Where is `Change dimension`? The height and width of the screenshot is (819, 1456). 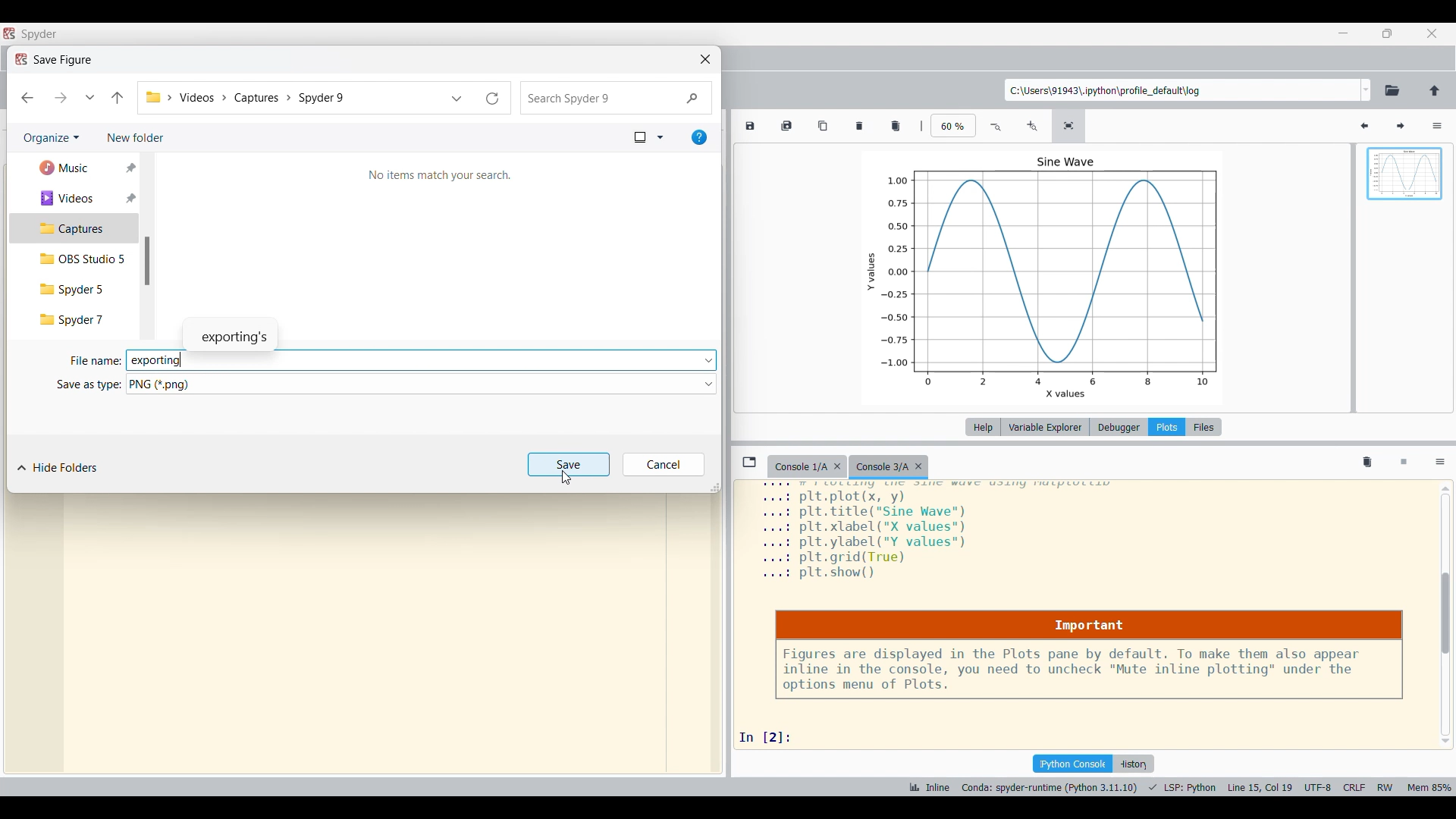
Change dimension is located at coordinates (714, 488).